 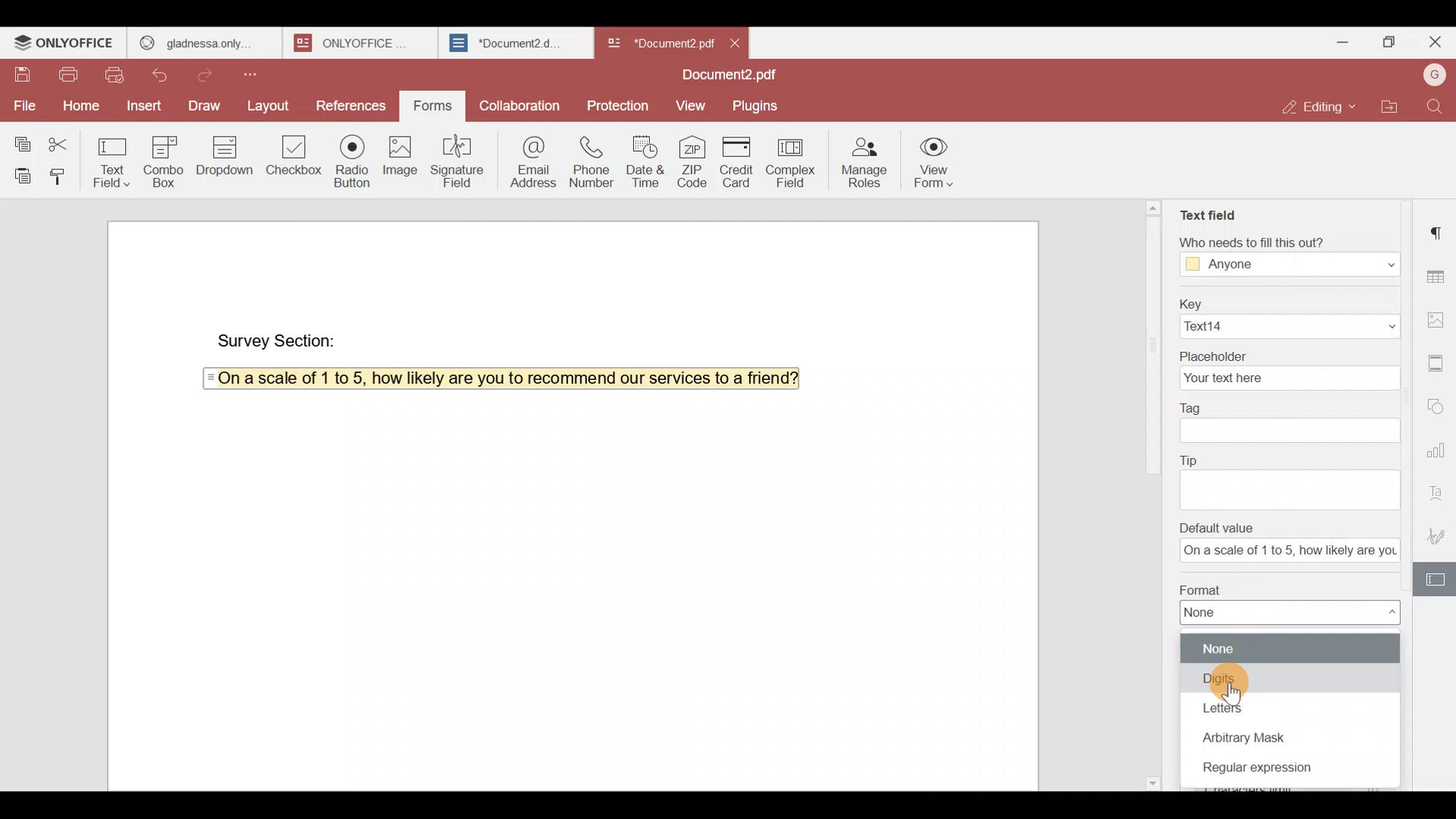 What do you see at coordinates (1207, 212) in the screenshot?
I see `Text field` at bounding box center [1207, 212].